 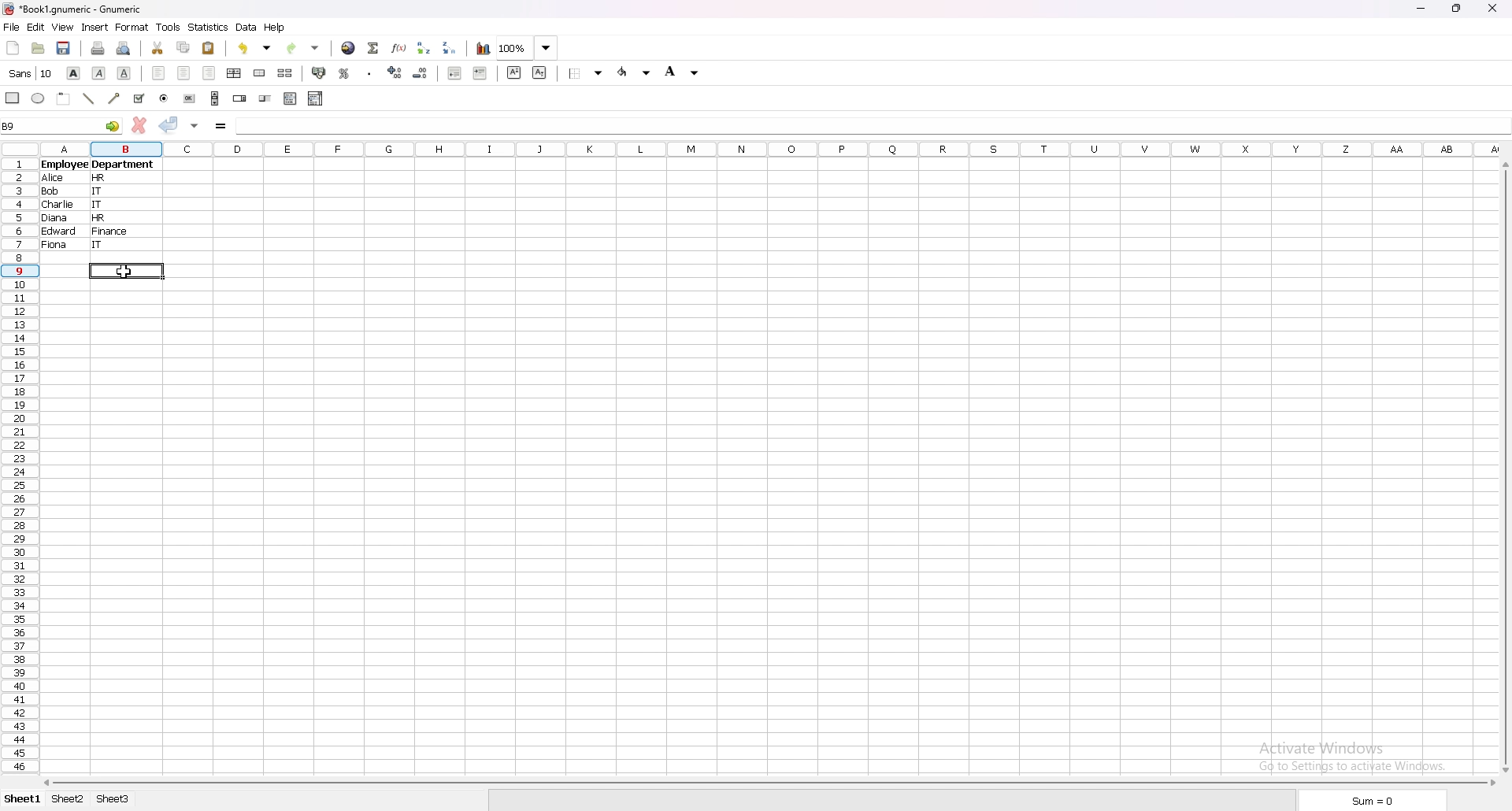 I want to click on file name, so click(x=74, y=9).